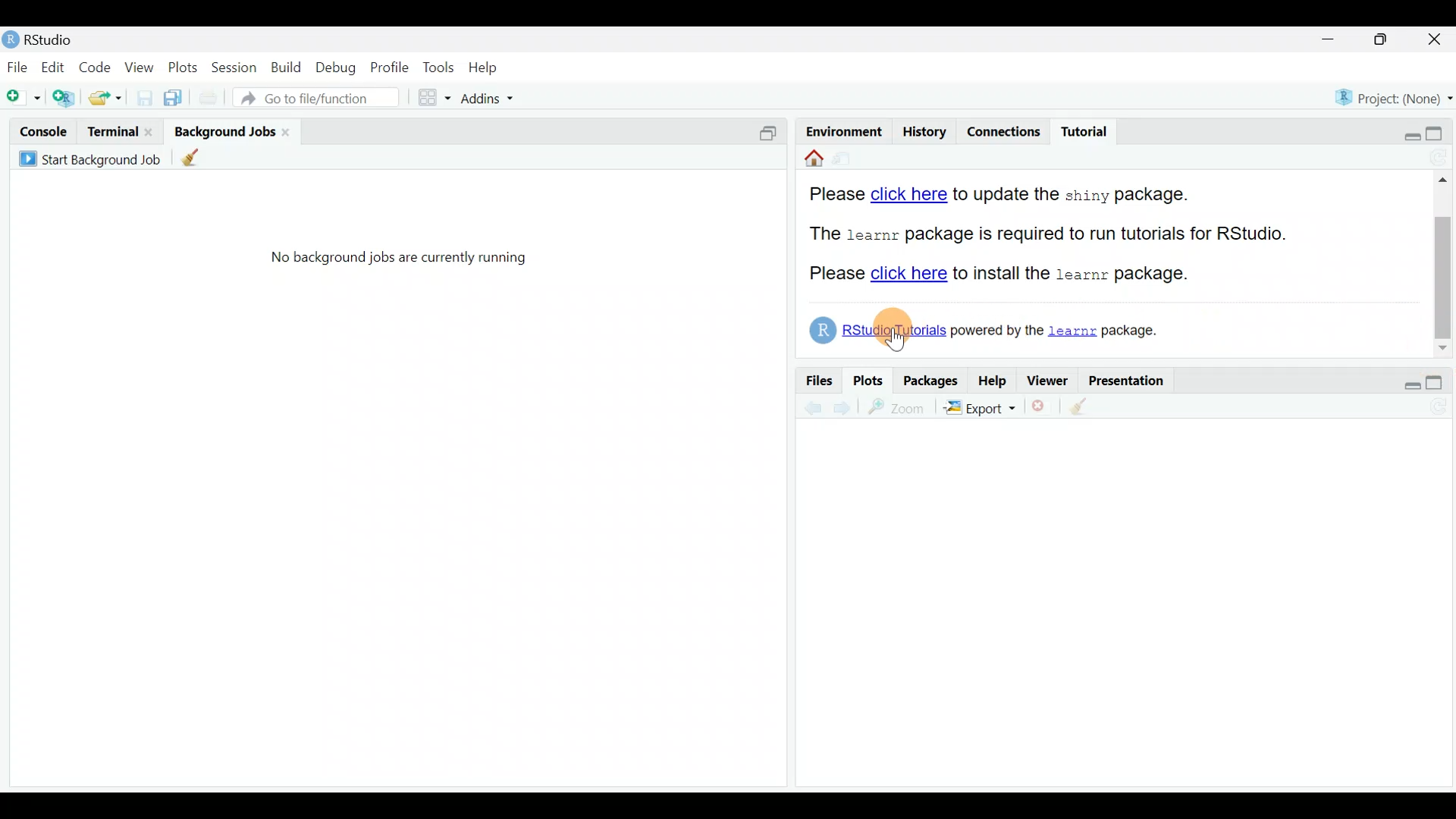 The width and height of the screenshot is (1456, 819). Describe the element at coordinates (89, 158) in the screenshot. I see `Start Background Job` at that location.